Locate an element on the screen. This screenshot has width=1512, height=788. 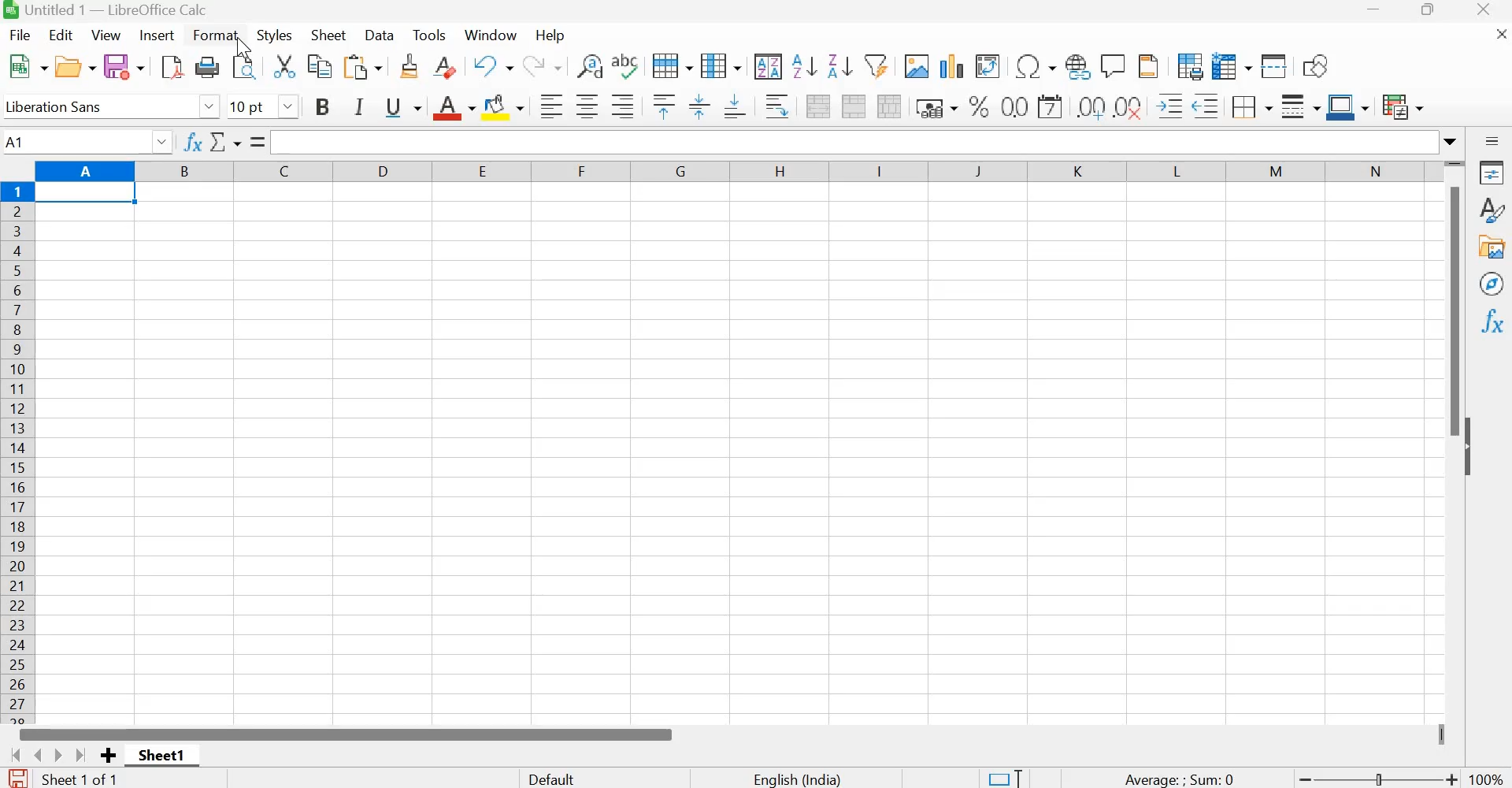
Average: Sum 0 is located at coordinates (1177, 778).